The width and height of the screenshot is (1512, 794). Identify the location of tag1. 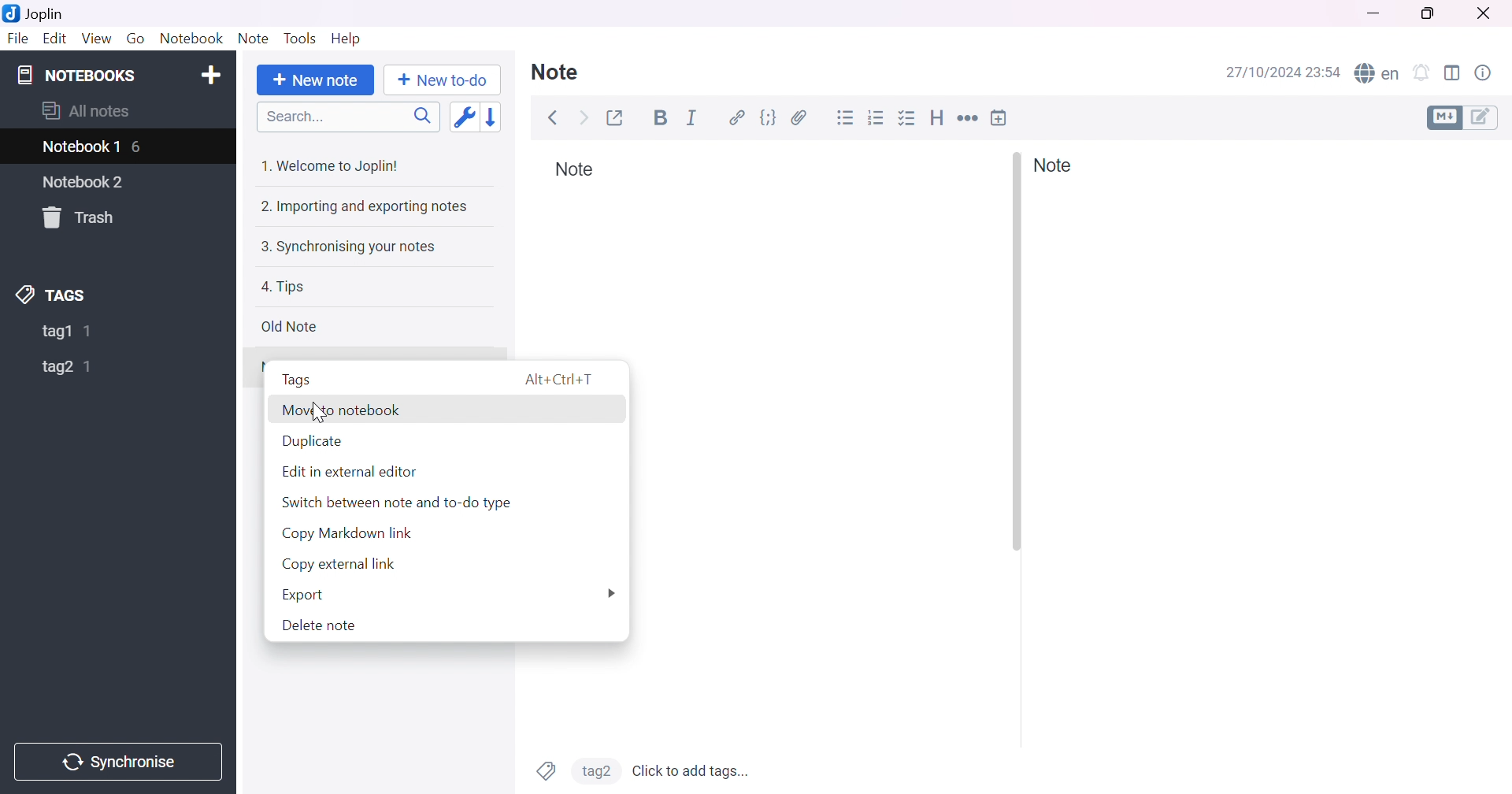
(54, 332).